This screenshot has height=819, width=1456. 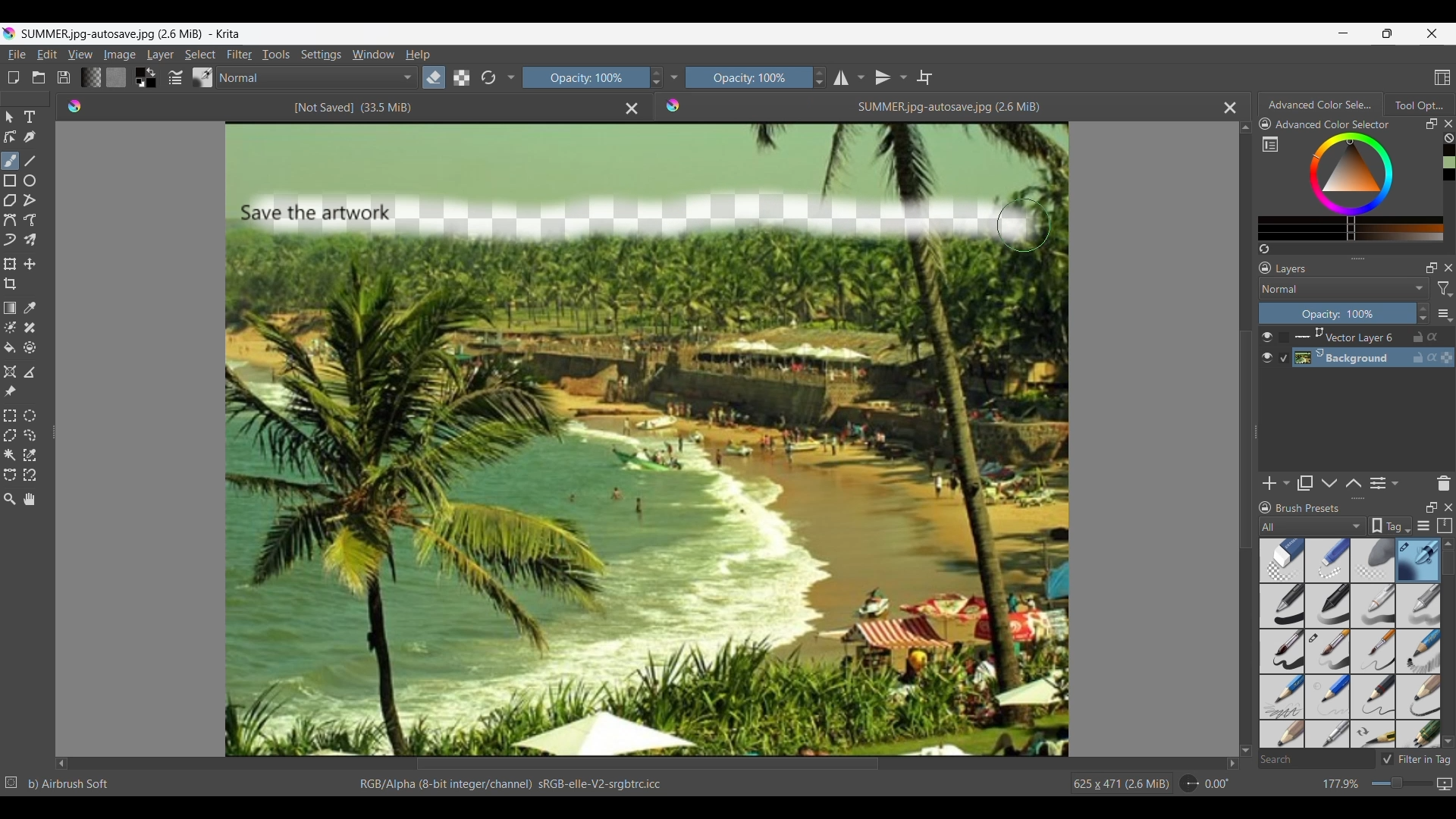 What do you see at coordinates (1428, 268) in the screenshot?
I see `Float layers panel` at bounding box center [1428, 268].